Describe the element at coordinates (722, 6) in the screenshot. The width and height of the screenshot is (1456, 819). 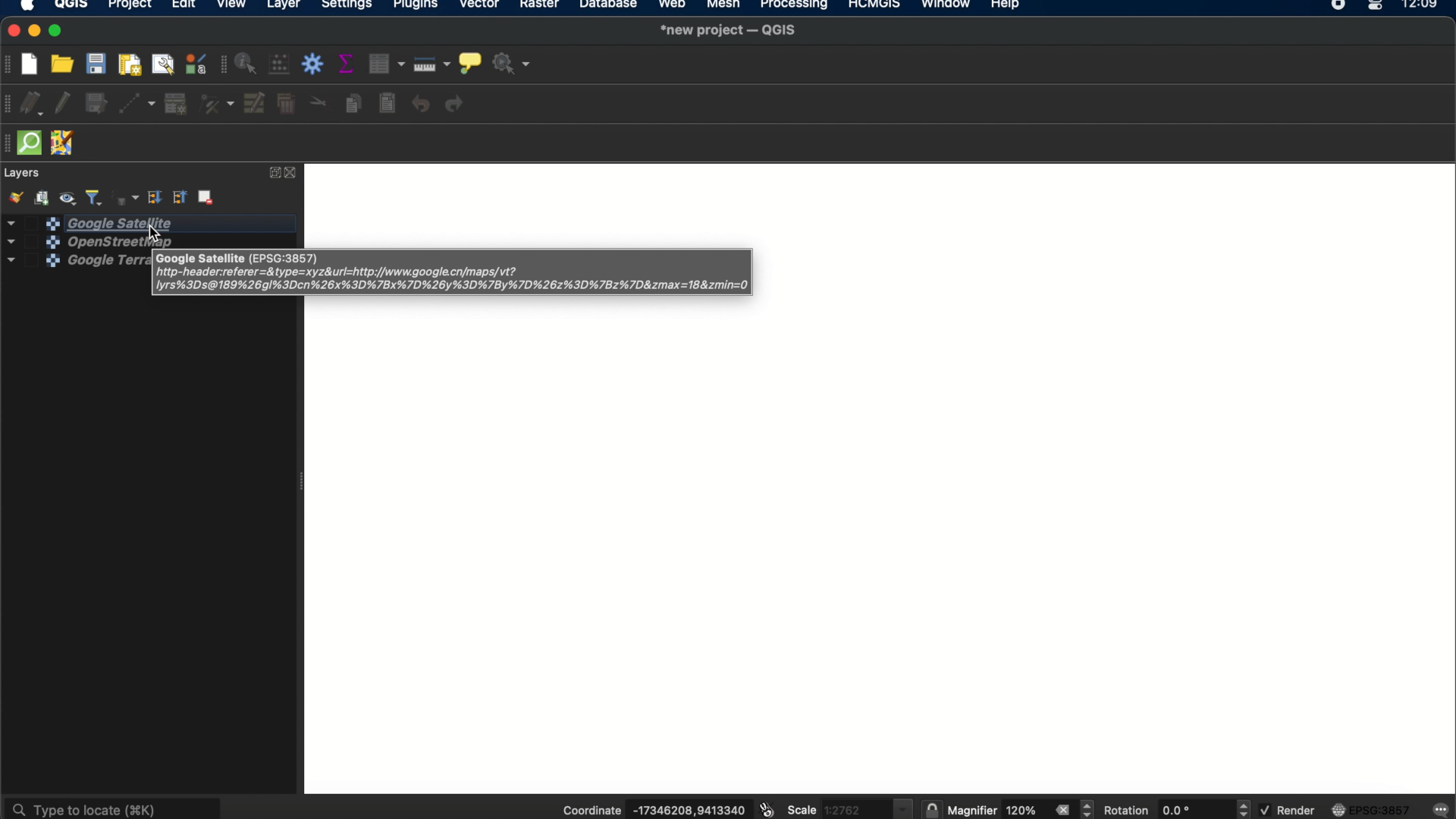
I see `mesh` at that location.